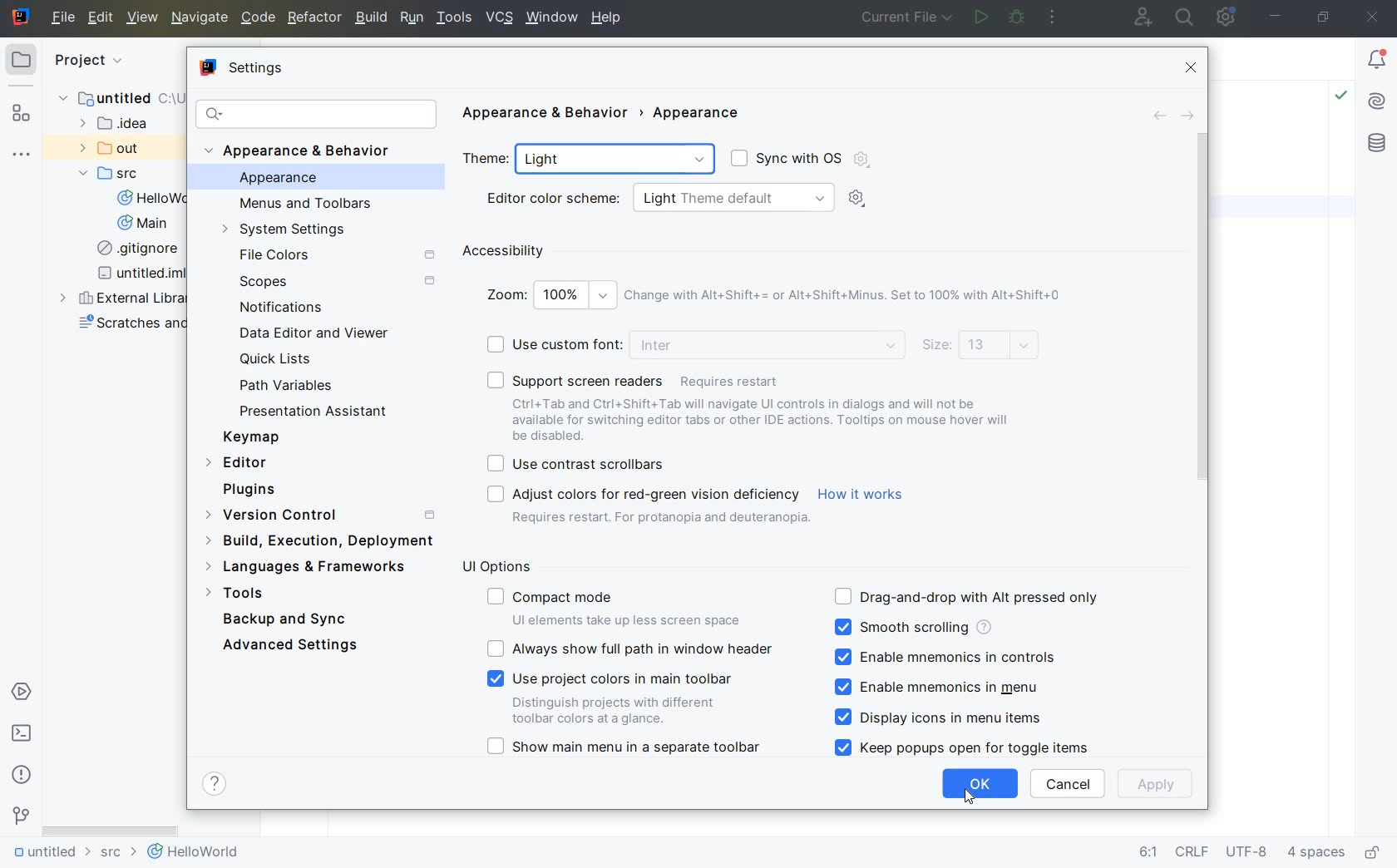 This screenshot has width=1397, height=868. I want to click on HELLOWORLD, so click(155, 199).